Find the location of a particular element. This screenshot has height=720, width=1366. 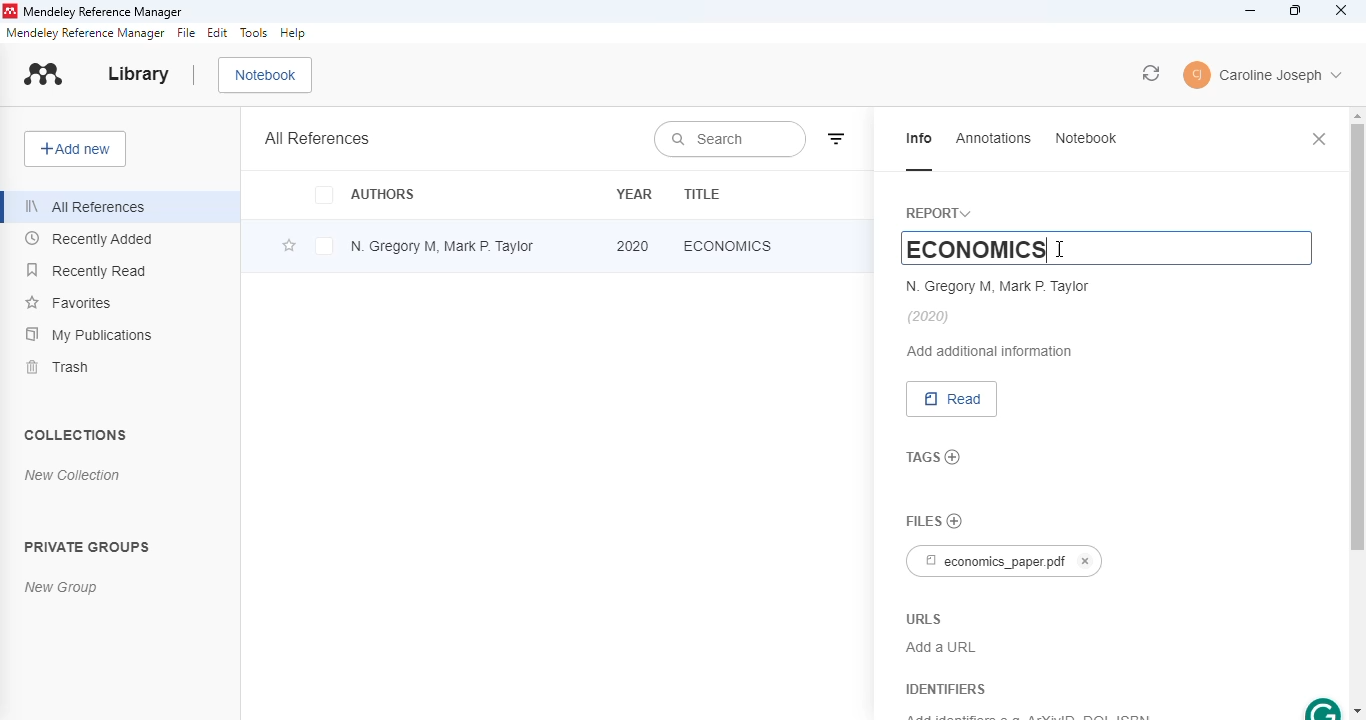

report is located at coordinates (942, 212).